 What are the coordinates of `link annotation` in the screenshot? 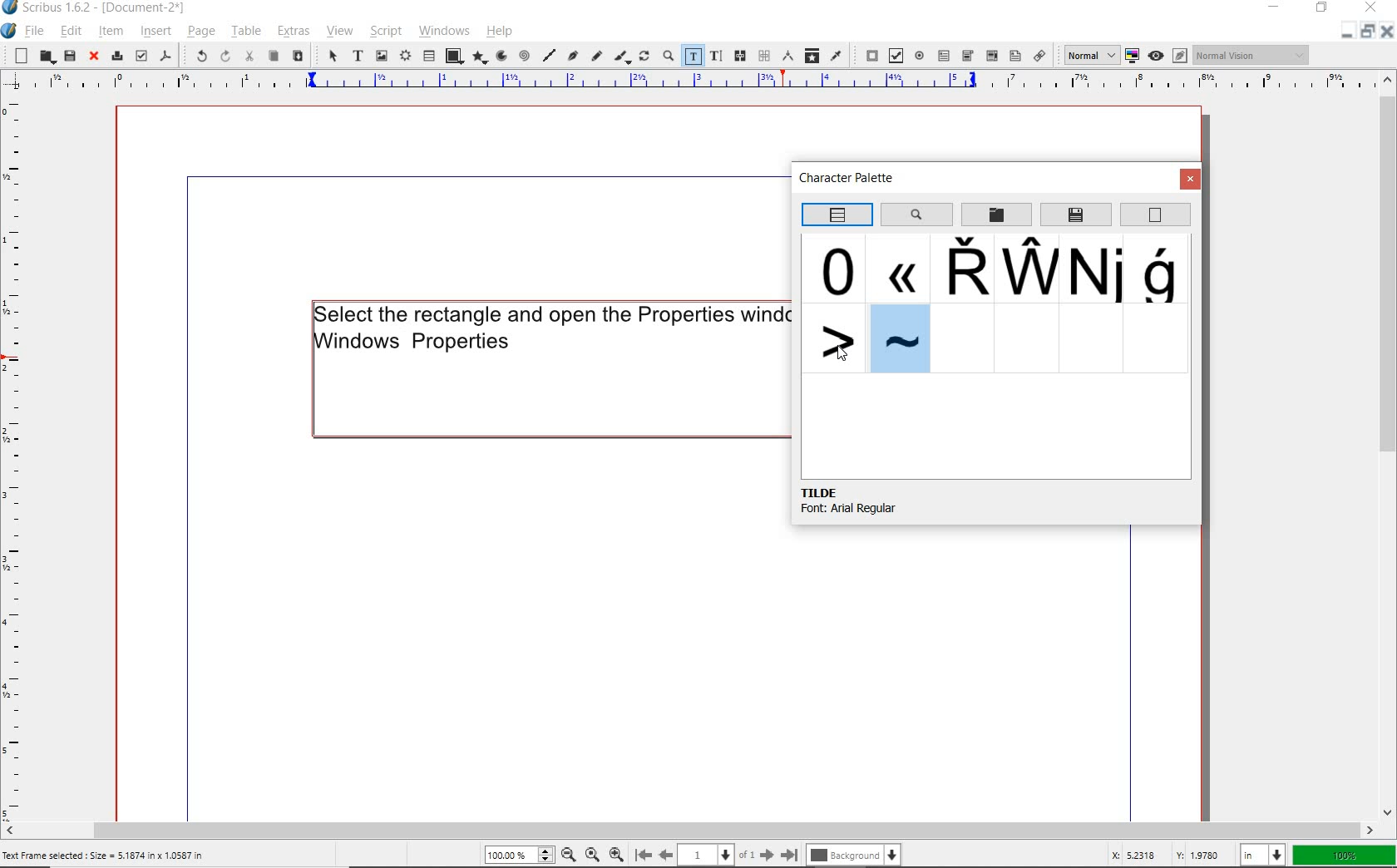 It's located at (1040, 55).